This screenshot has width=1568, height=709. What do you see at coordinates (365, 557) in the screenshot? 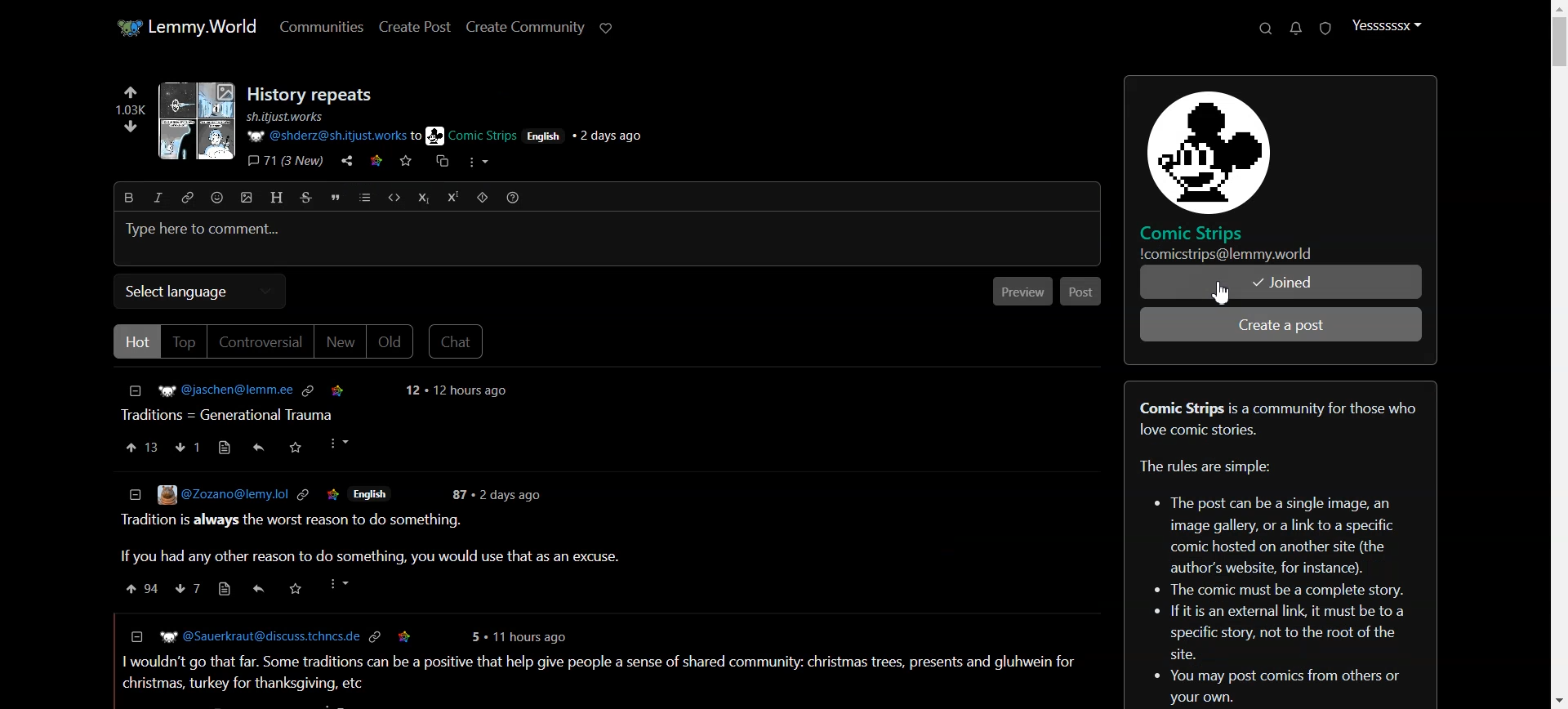
I see `If you had any other reason to do something, you would use that as an excuse.` at bounding box center [365, 557].